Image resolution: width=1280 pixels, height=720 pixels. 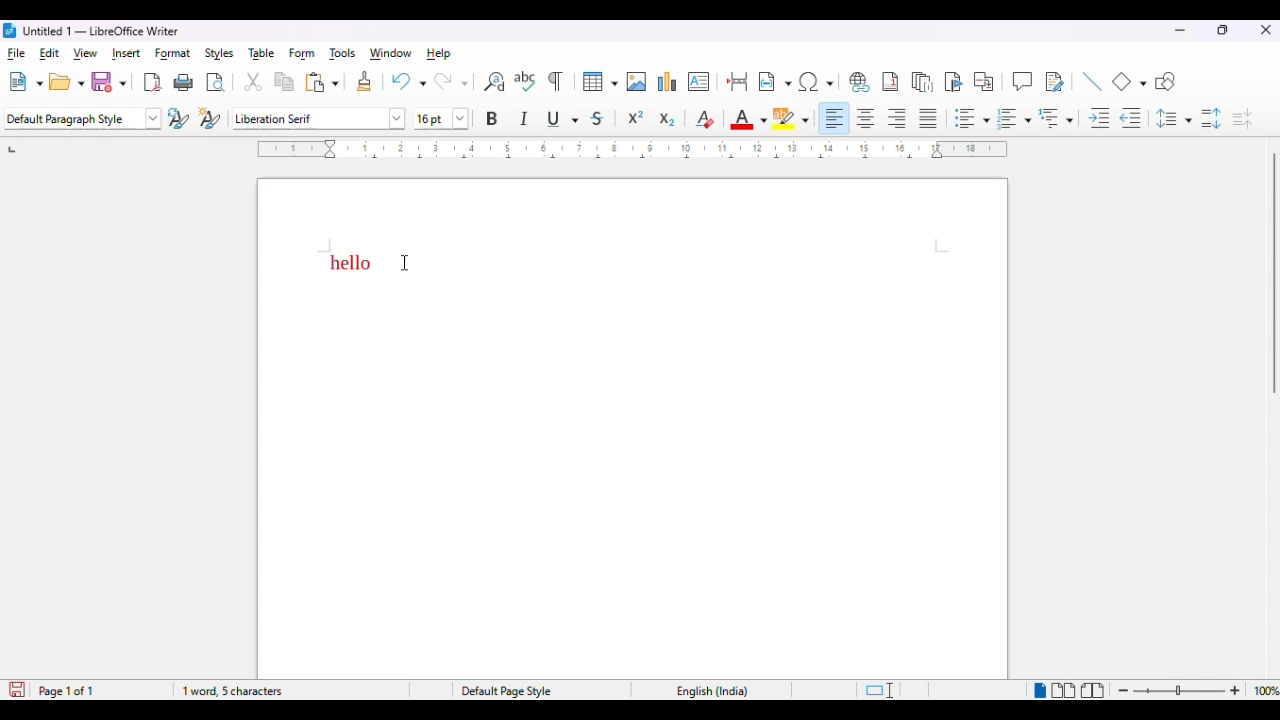 What do you see at coordinates (15, 53) in the screenshot?
I see `file` at bounding box center [15, 53].